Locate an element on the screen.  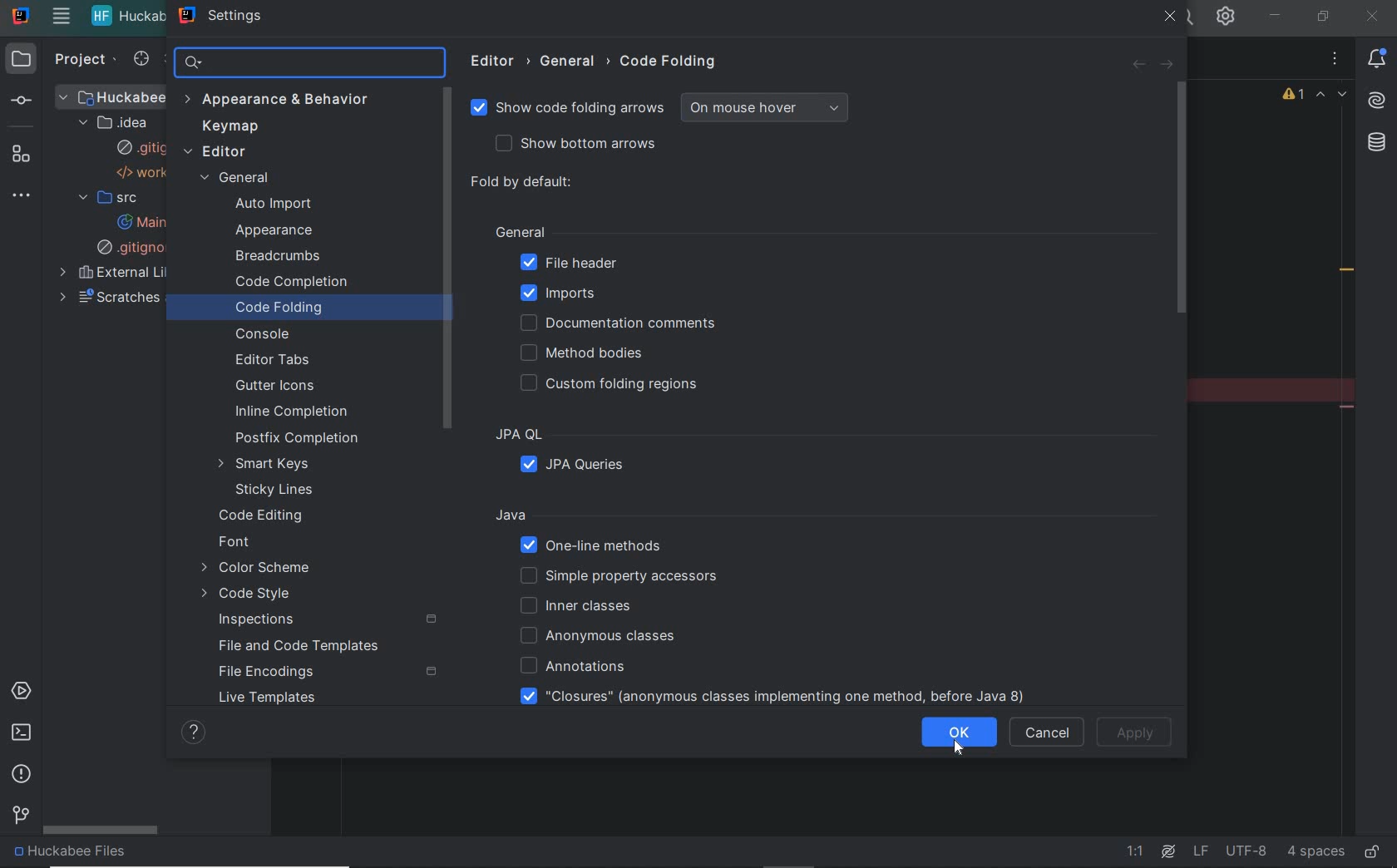
search settings is located at coordinates (311, 62).